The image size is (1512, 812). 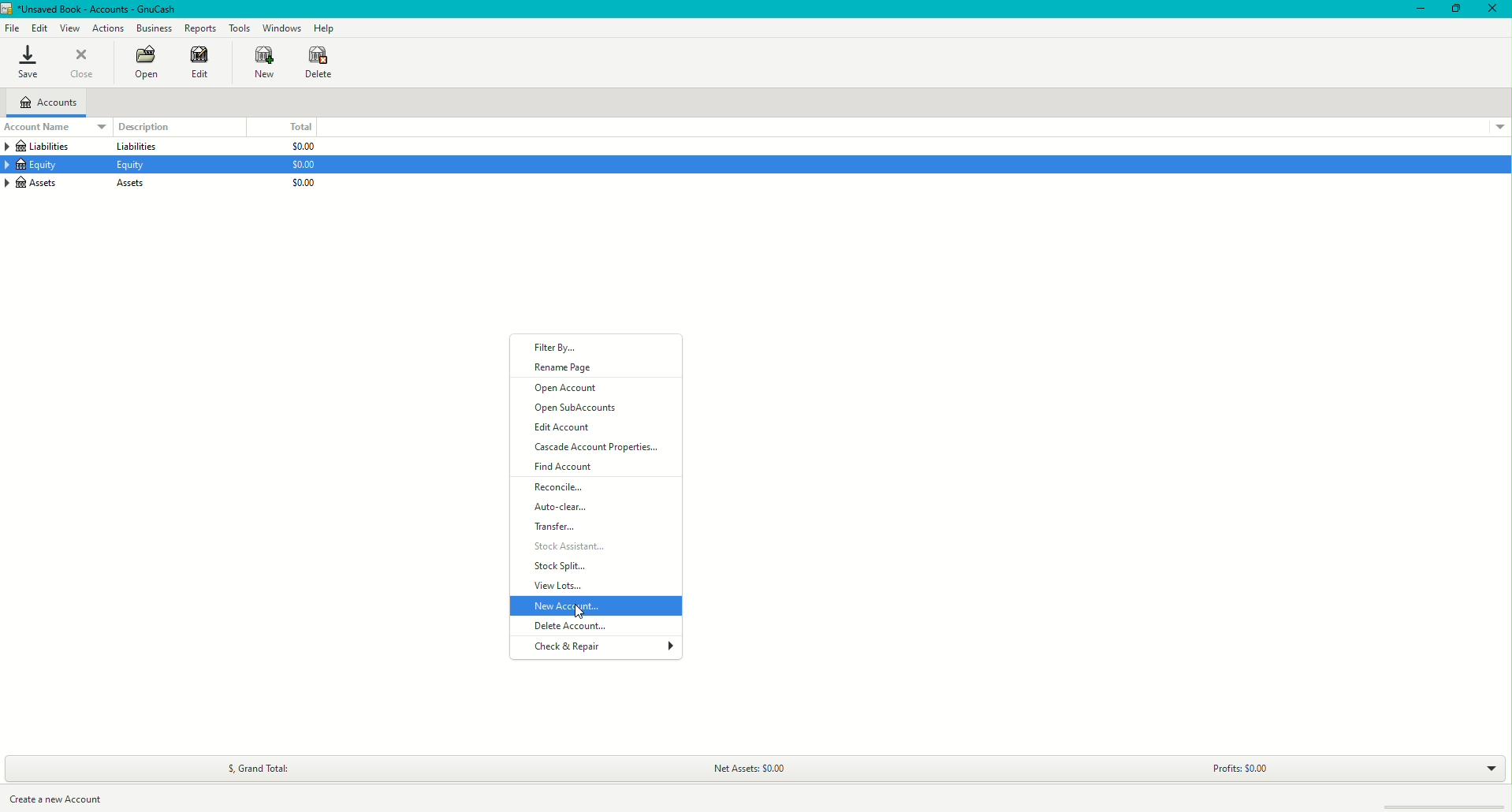 I want to click on Rename Page, so click(x=599, y=367).